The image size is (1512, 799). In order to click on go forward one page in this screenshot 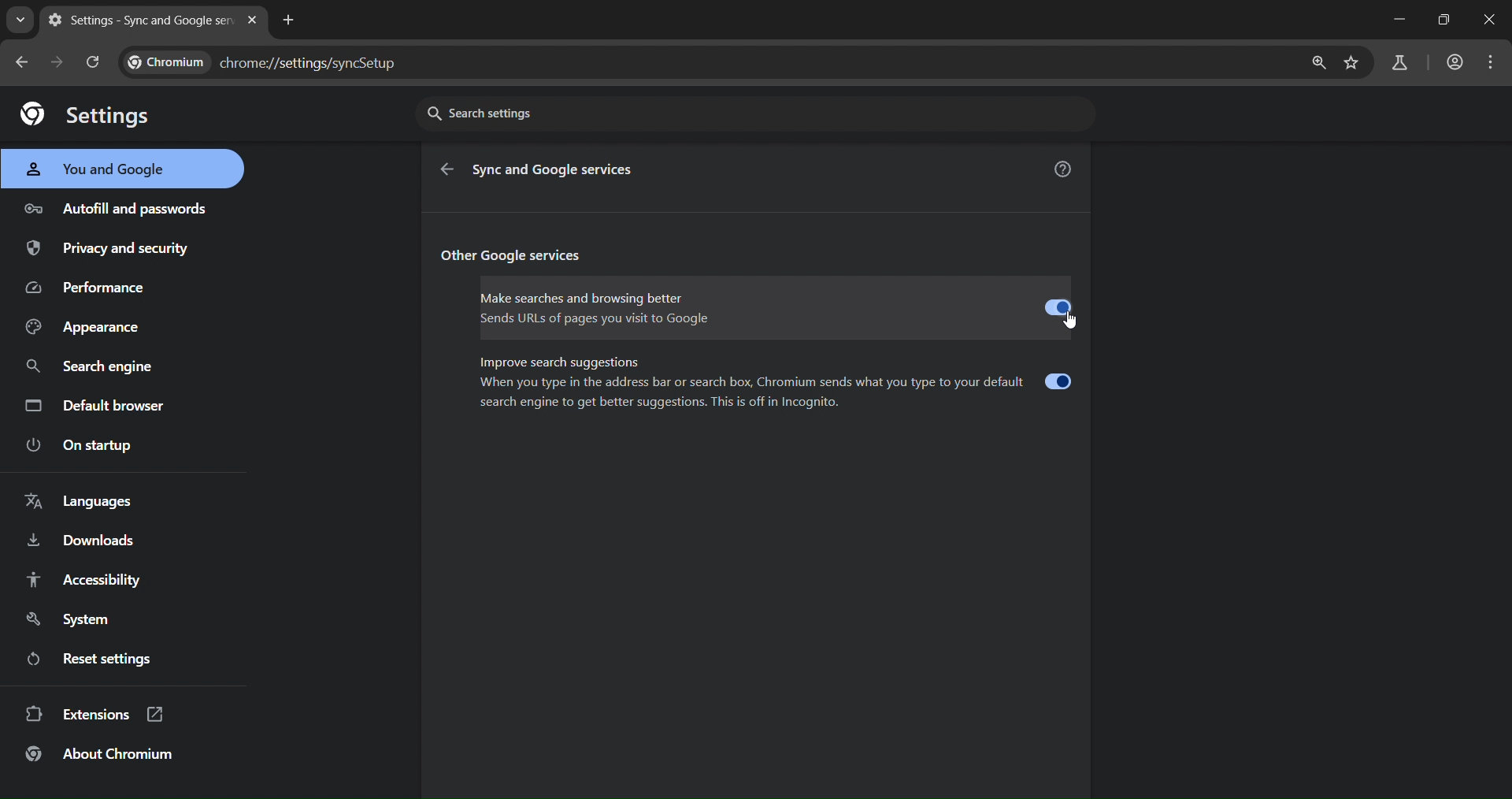, I will do `click(61, 62)`.